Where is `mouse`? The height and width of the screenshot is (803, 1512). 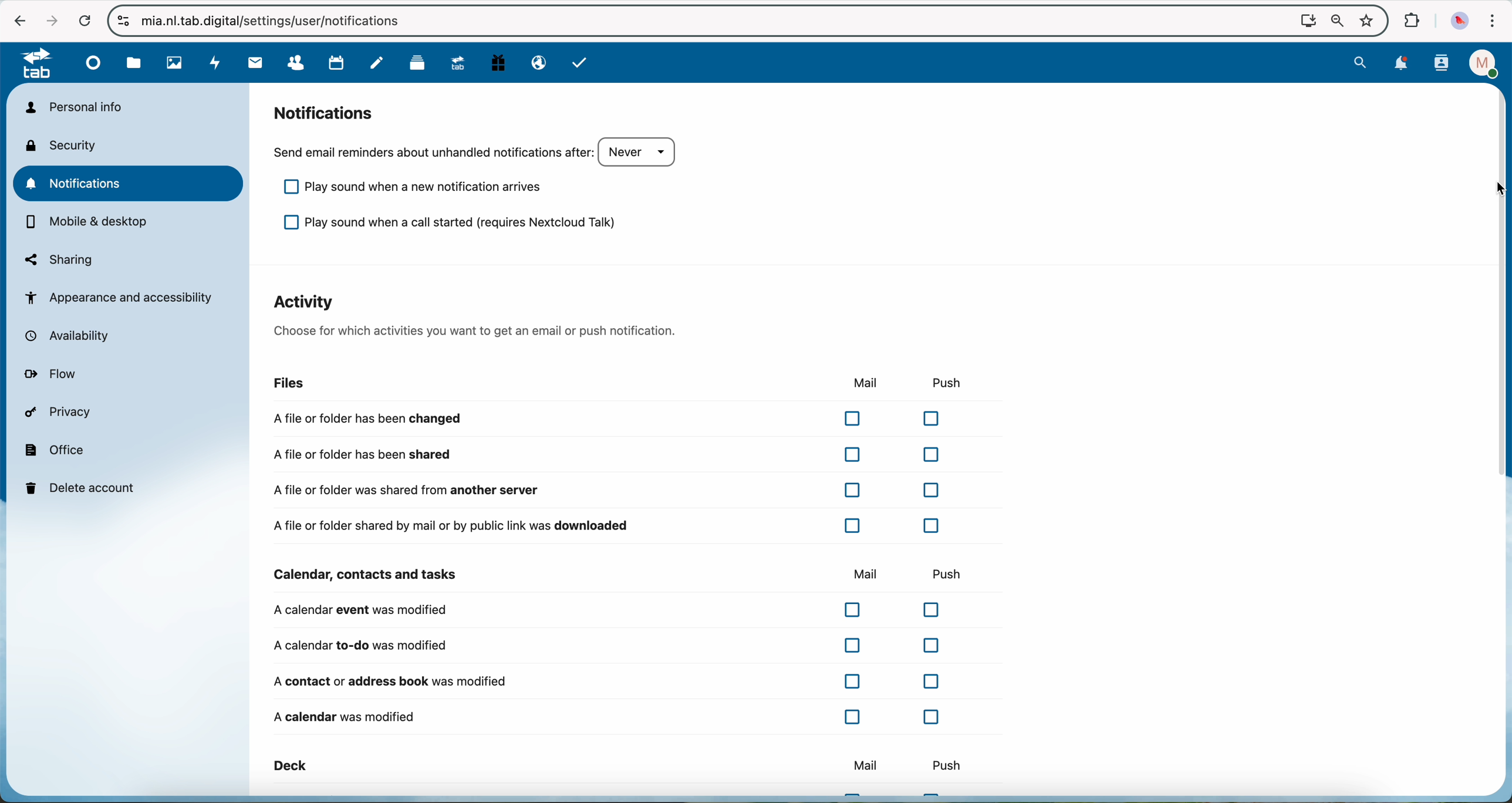
mouse is located at coordinates (1494, 187).